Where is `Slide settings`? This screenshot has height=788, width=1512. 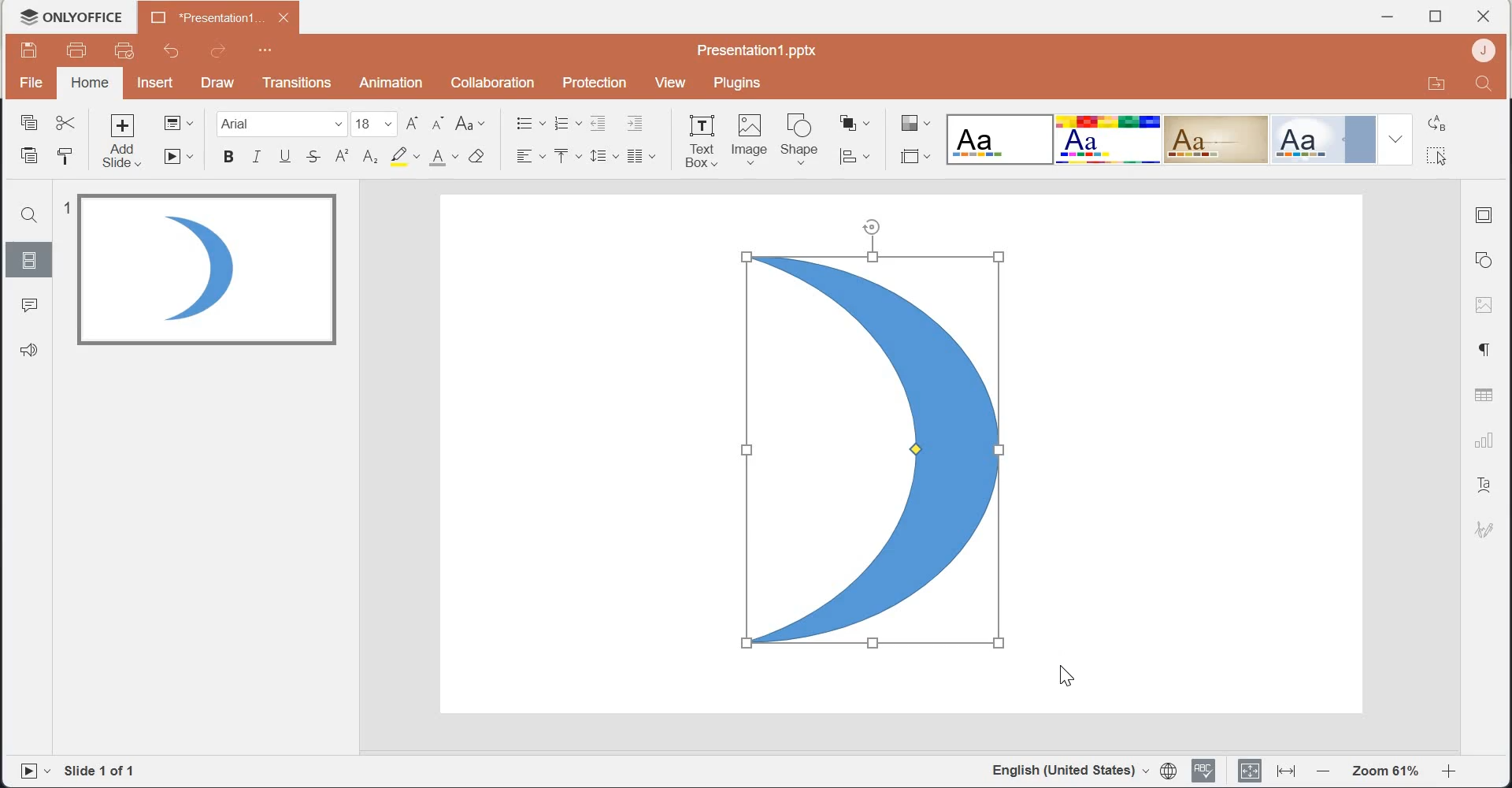
Slide settings is located at coordinates (1488, 214).